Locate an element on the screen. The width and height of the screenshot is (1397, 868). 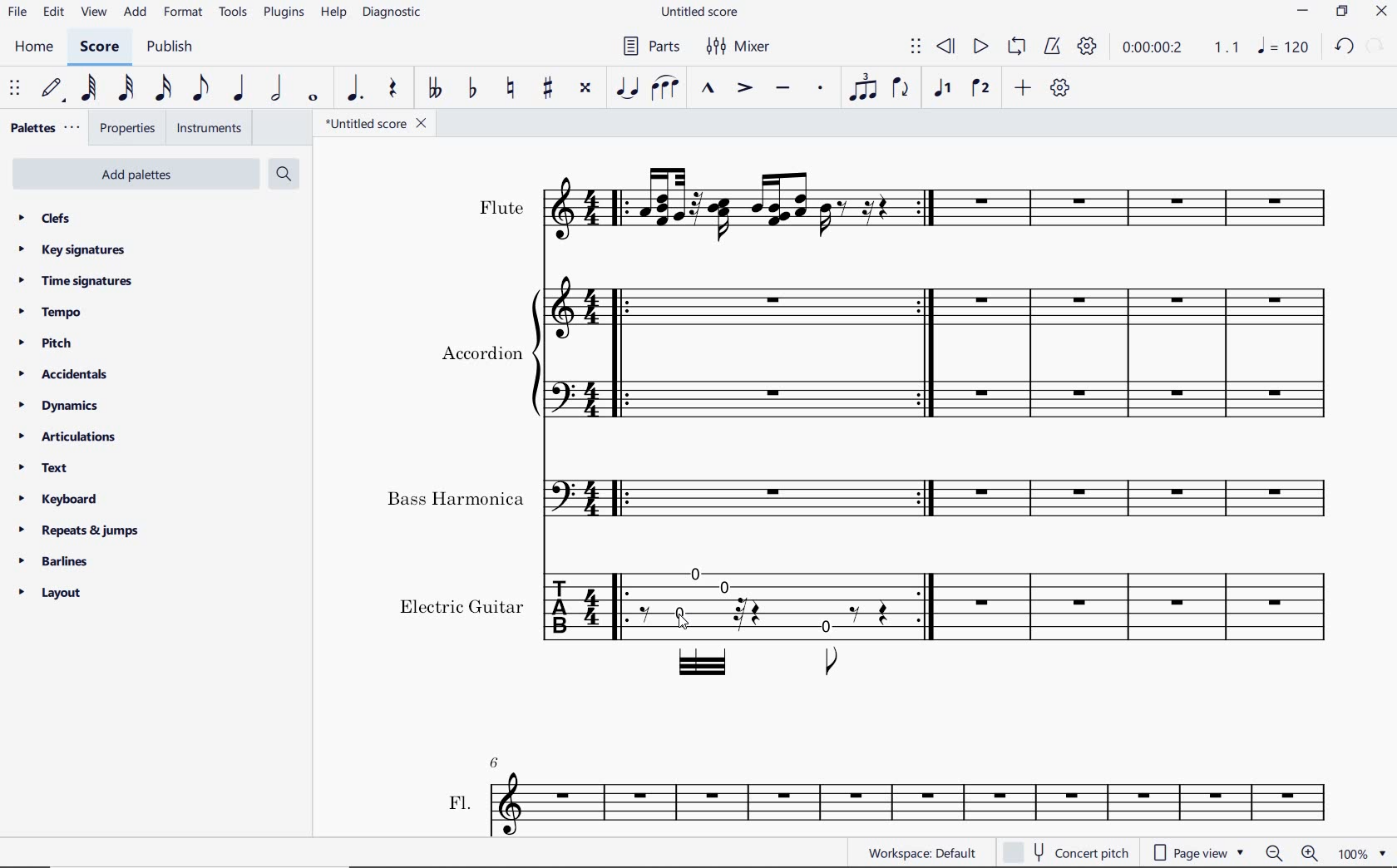
clefs is located at coordinates (45, 218).